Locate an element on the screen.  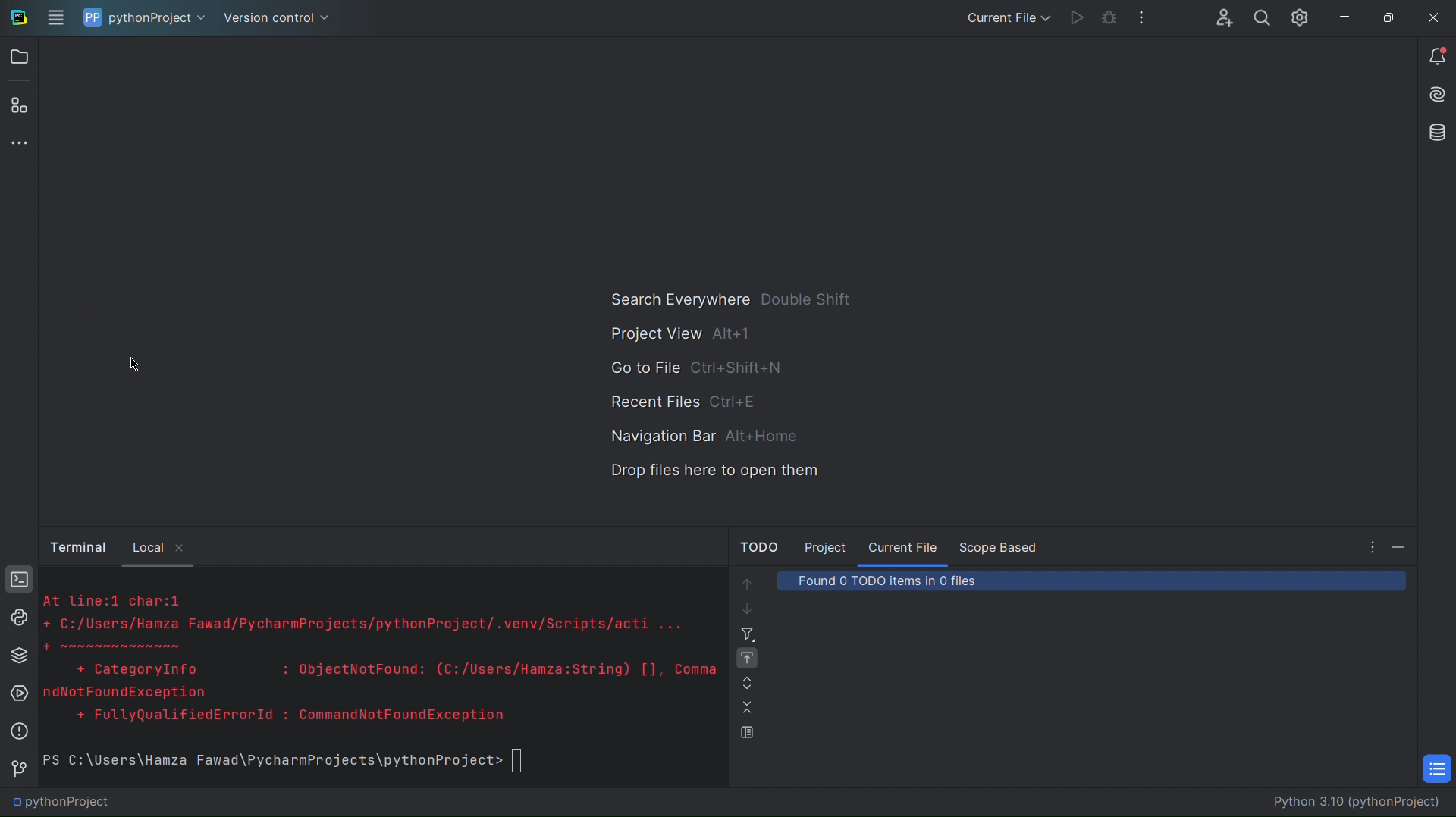
Minimize is located at coordinates (1404, 548).